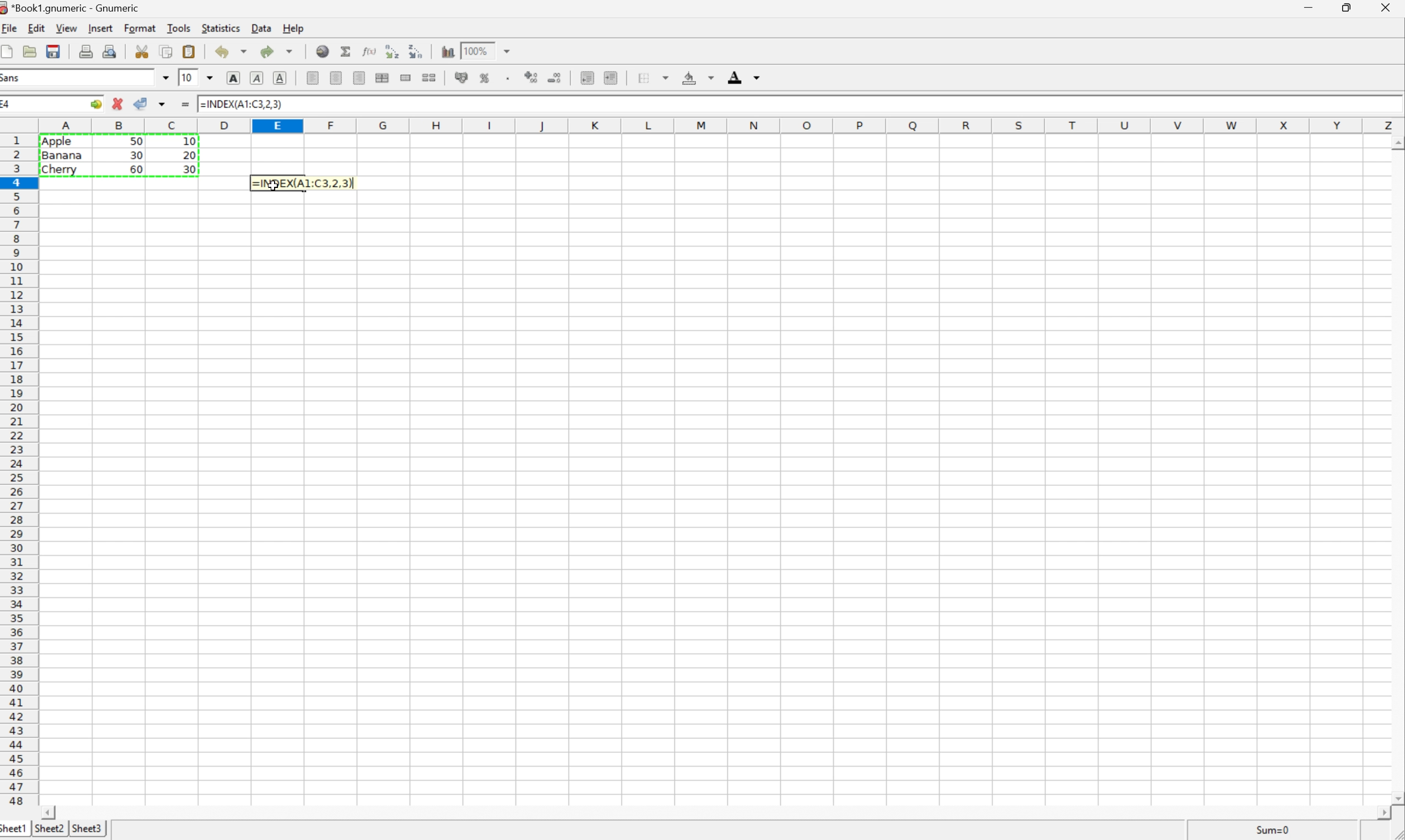 Image resolution: width=1405 pixels, height=840 pixels. I want to click on scroll down, so click(1396, 798).